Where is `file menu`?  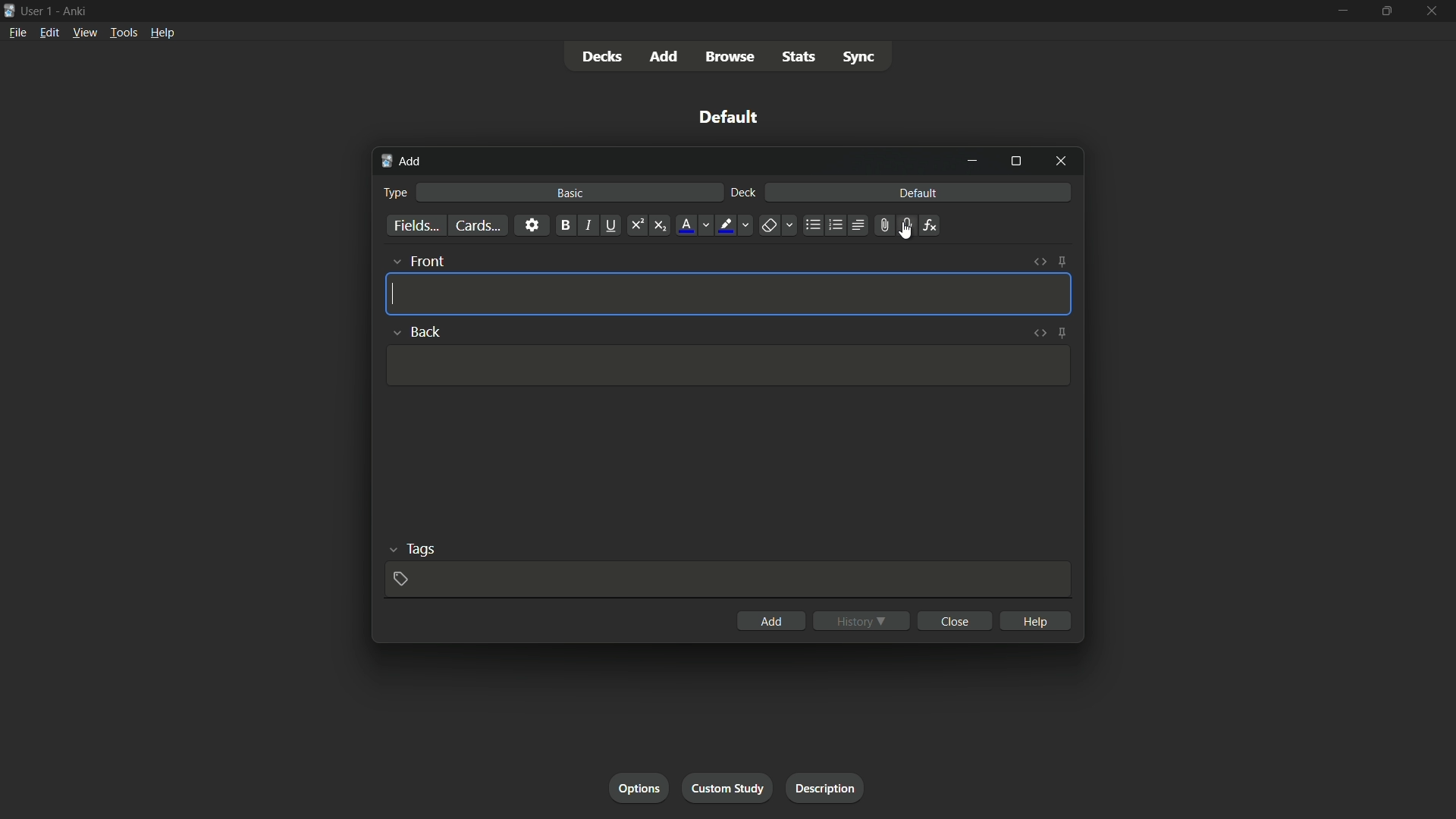 file menu is located at coordinates (18, 32).